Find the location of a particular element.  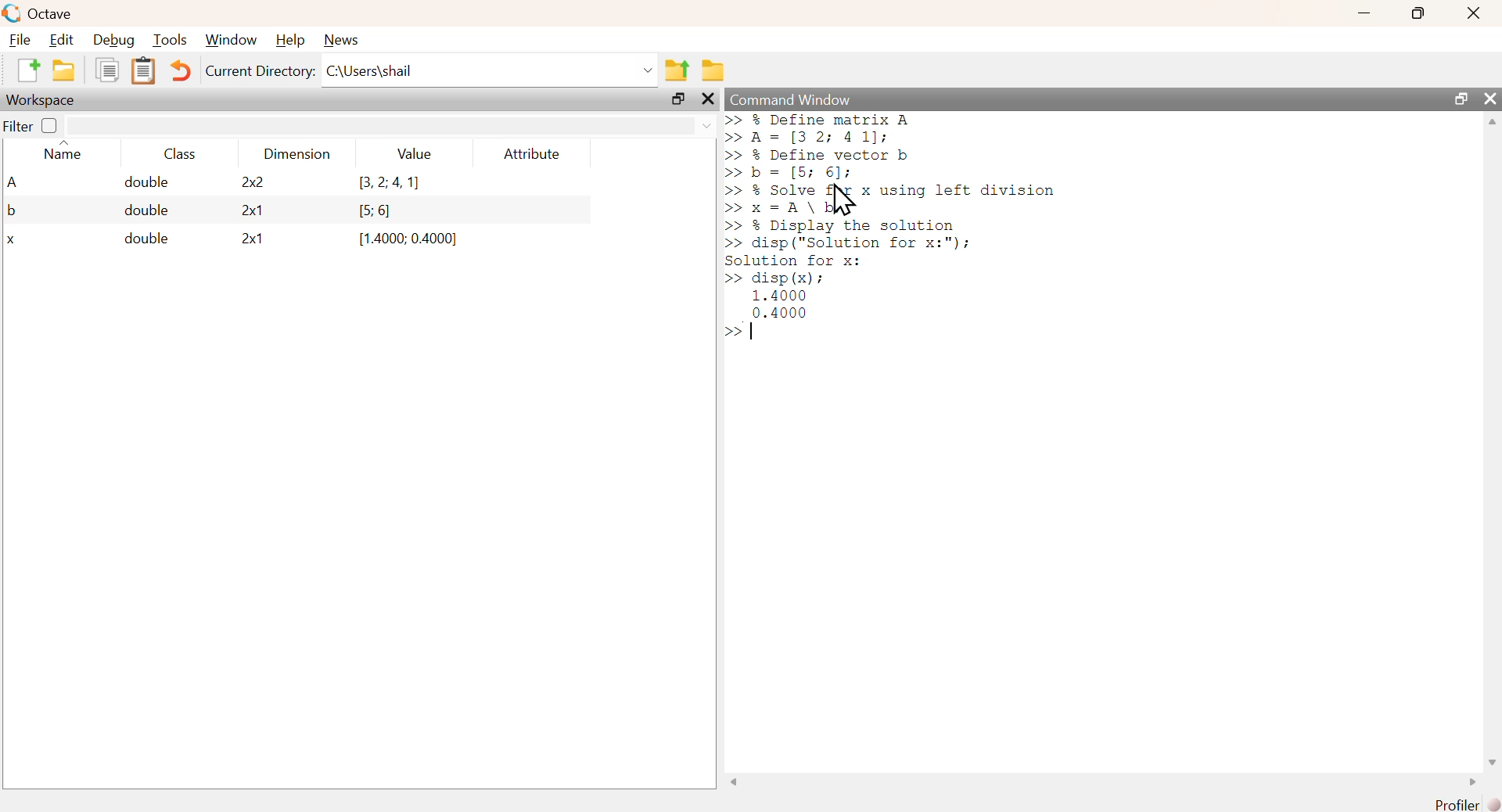

class is located at coordinates (178, 156).